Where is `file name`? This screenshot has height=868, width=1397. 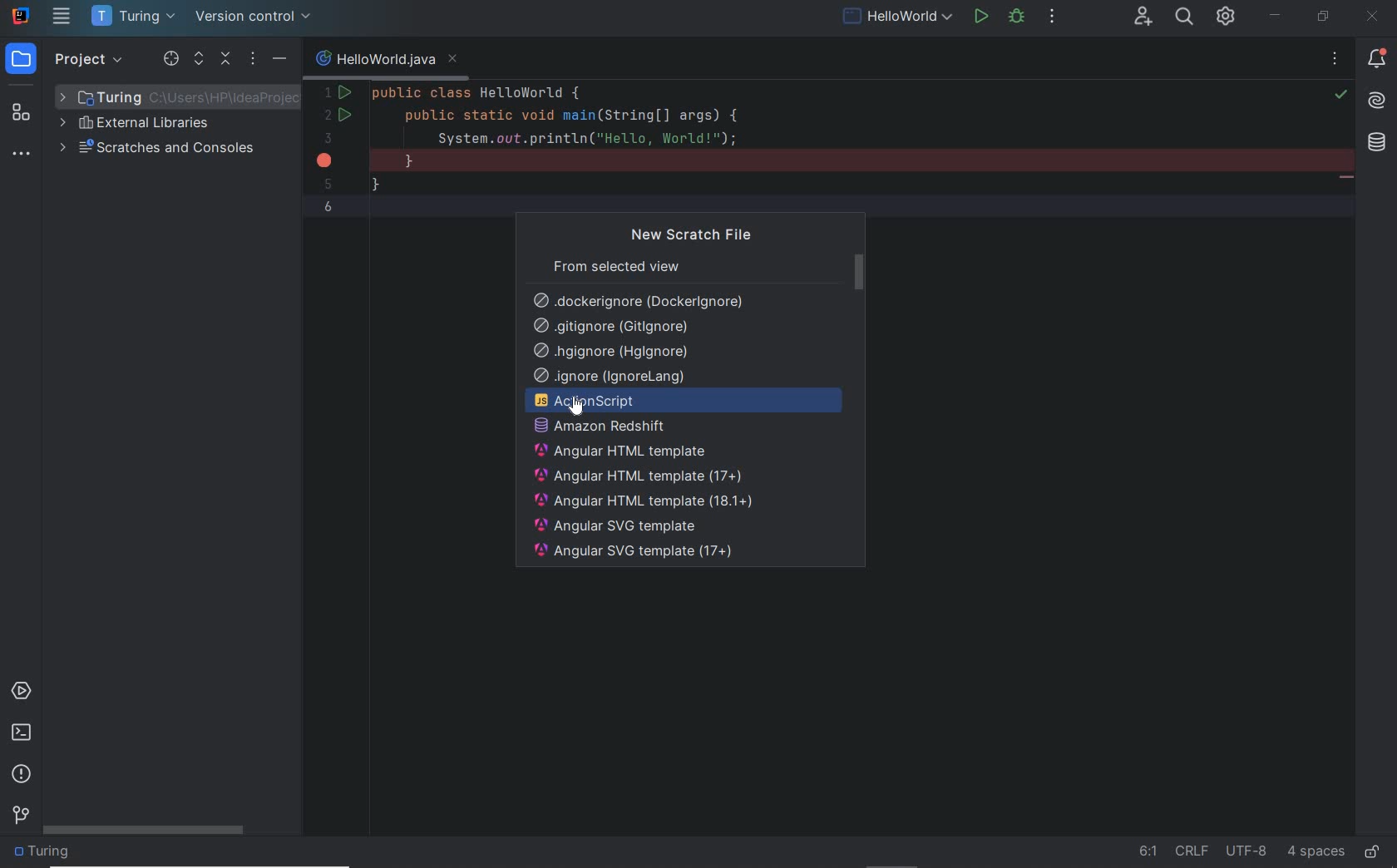
file name is located at coordinates (375, 60).